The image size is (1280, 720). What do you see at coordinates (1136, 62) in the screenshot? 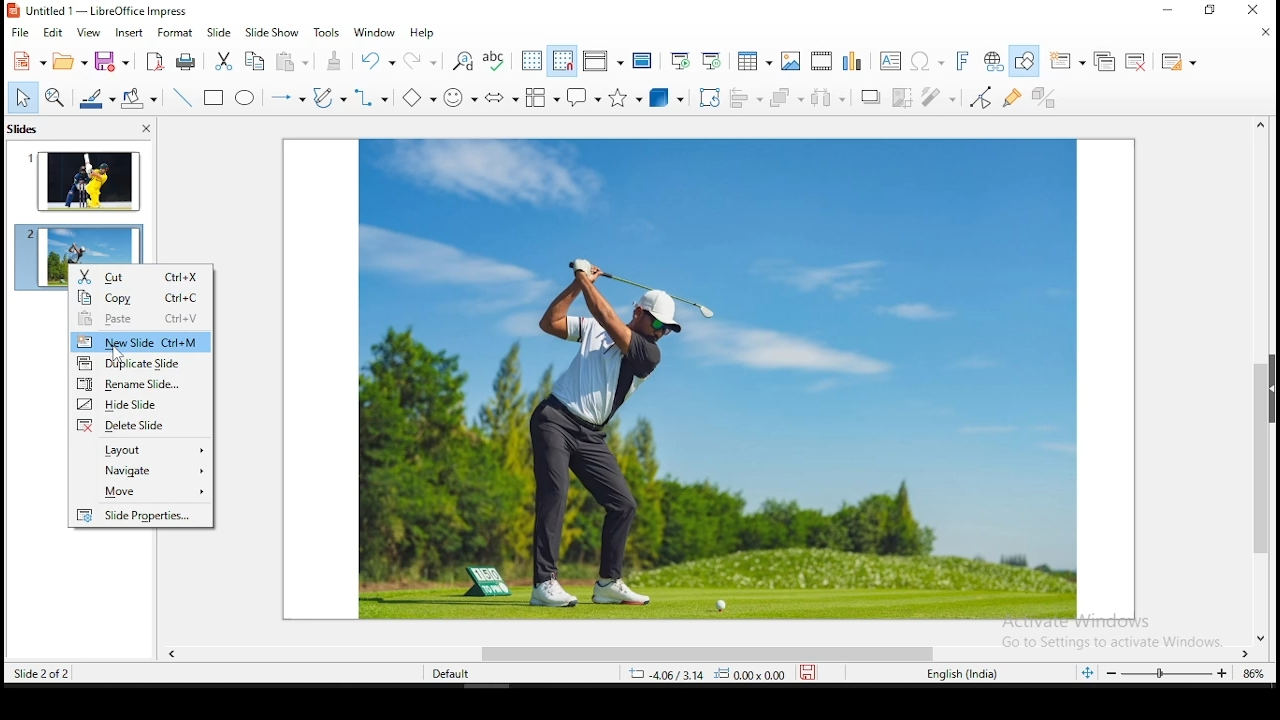
I see `delete slide` at bounding box center [1136, 62].